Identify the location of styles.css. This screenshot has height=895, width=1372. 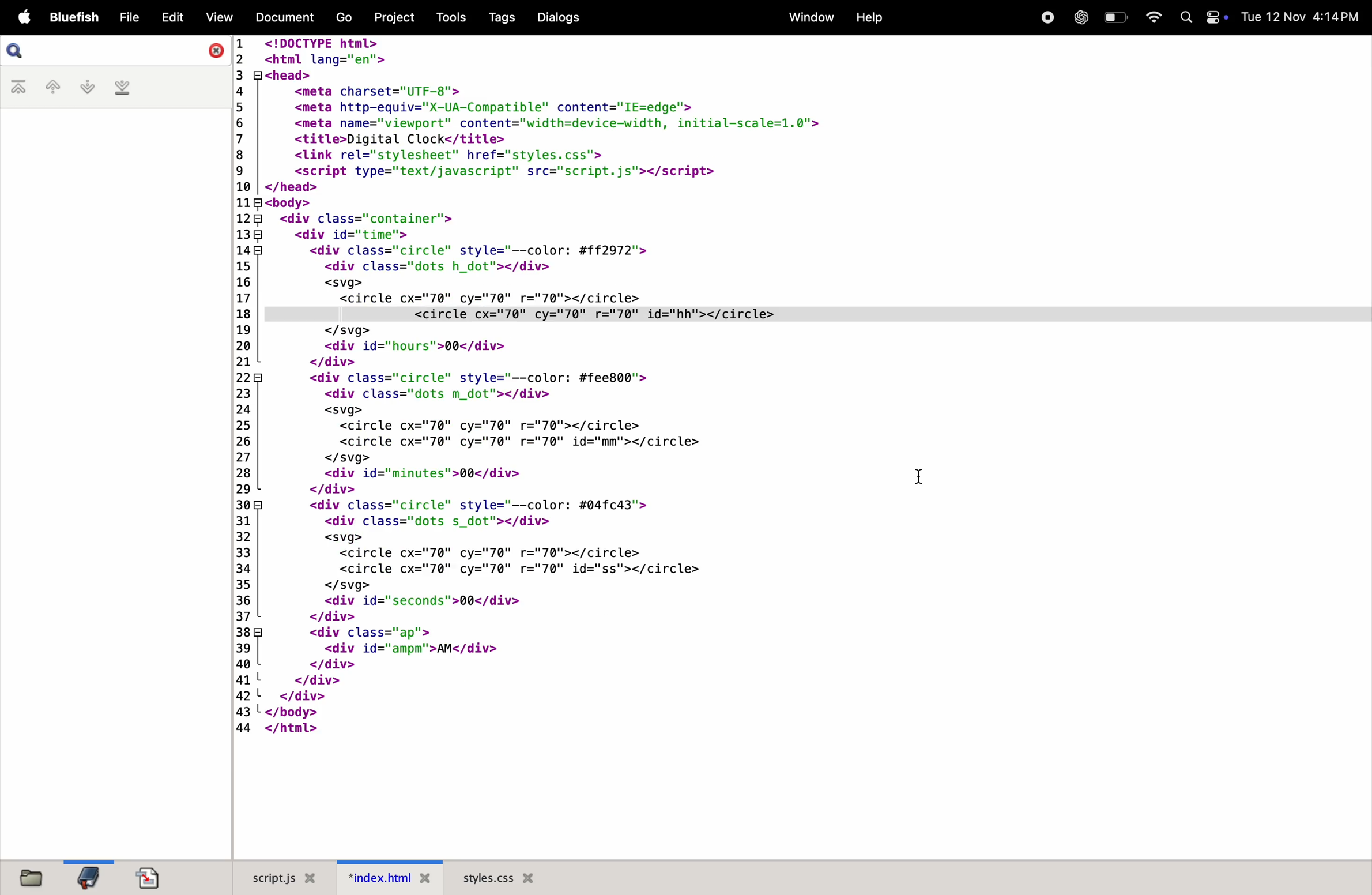
(497, 877).